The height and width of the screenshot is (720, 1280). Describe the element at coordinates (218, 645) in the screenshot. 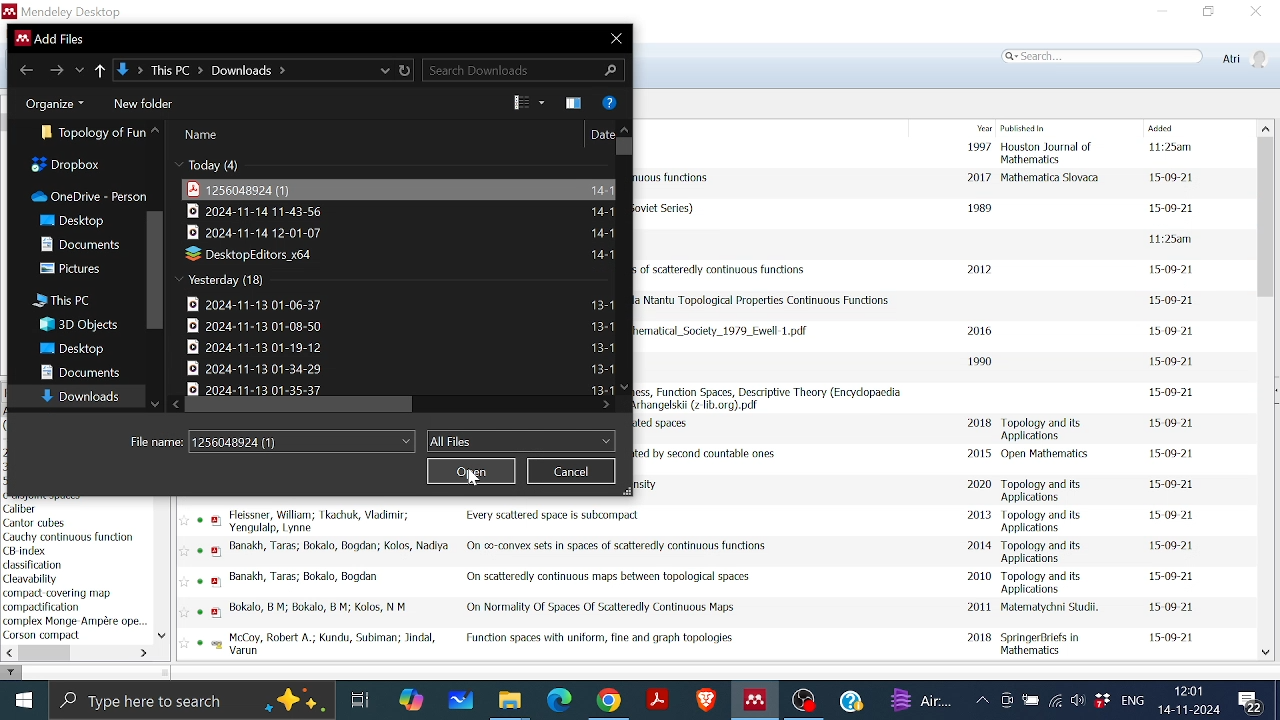

I see `pdf` at that location.